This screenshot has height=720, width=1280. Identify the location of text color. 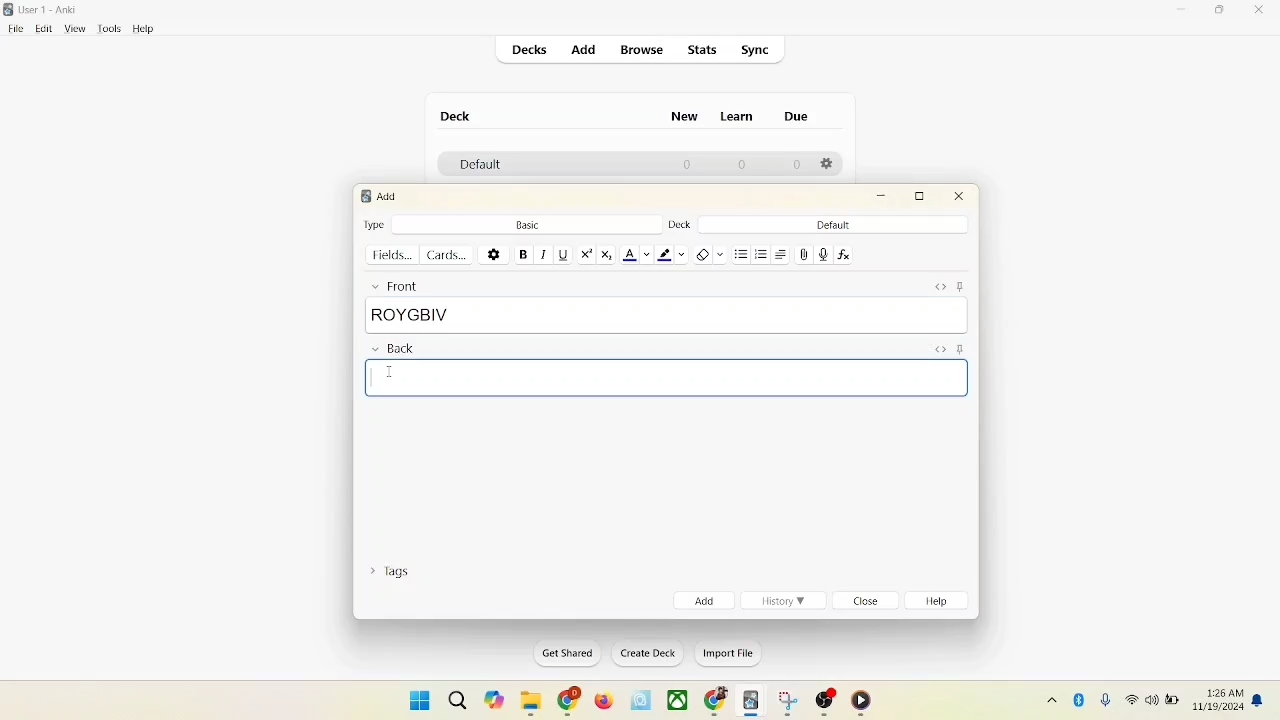
(636, 255).